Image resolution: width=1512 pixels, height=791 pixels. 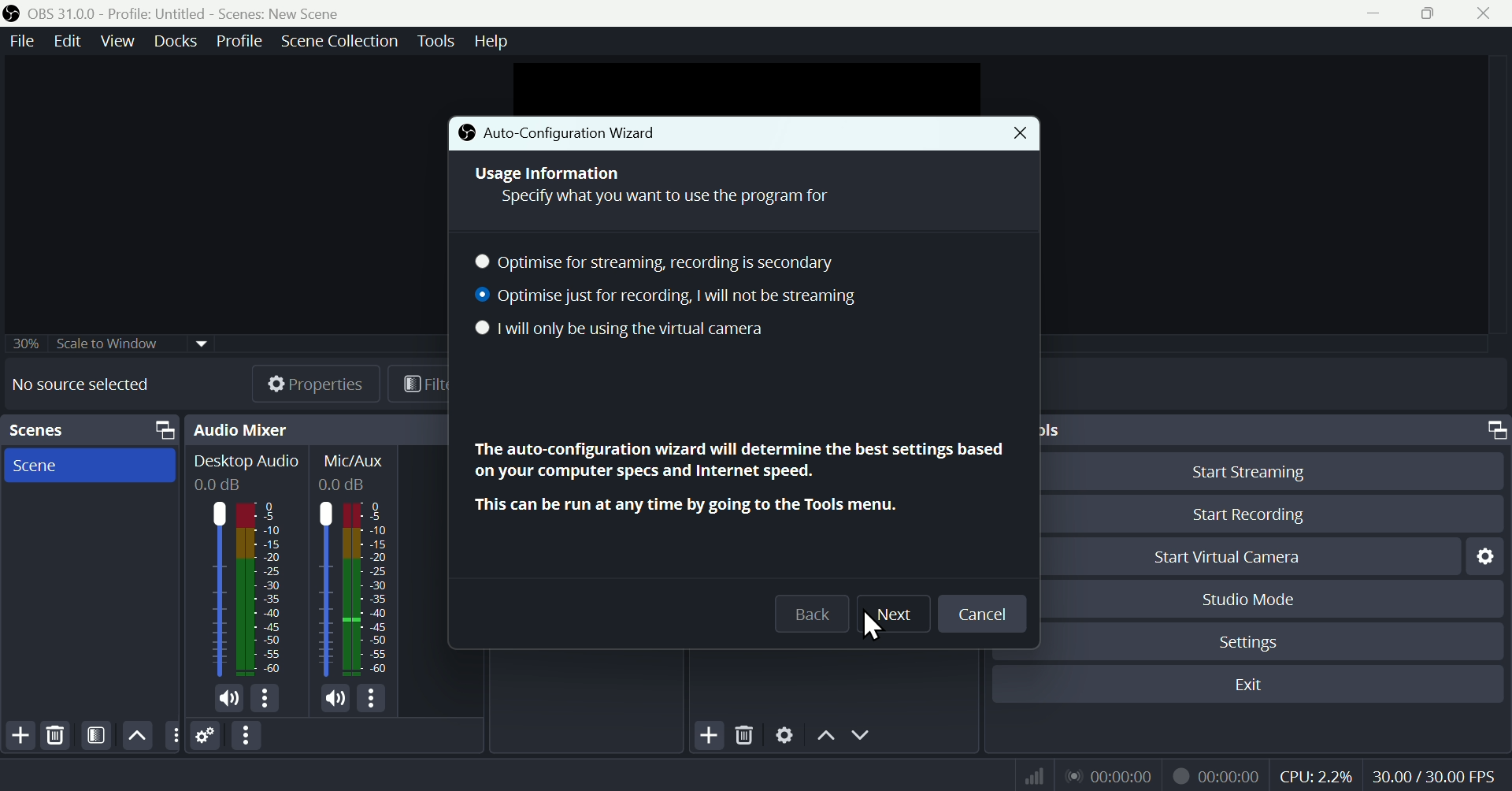 I want to click on Video recorder, so click(x=1215, y=774).